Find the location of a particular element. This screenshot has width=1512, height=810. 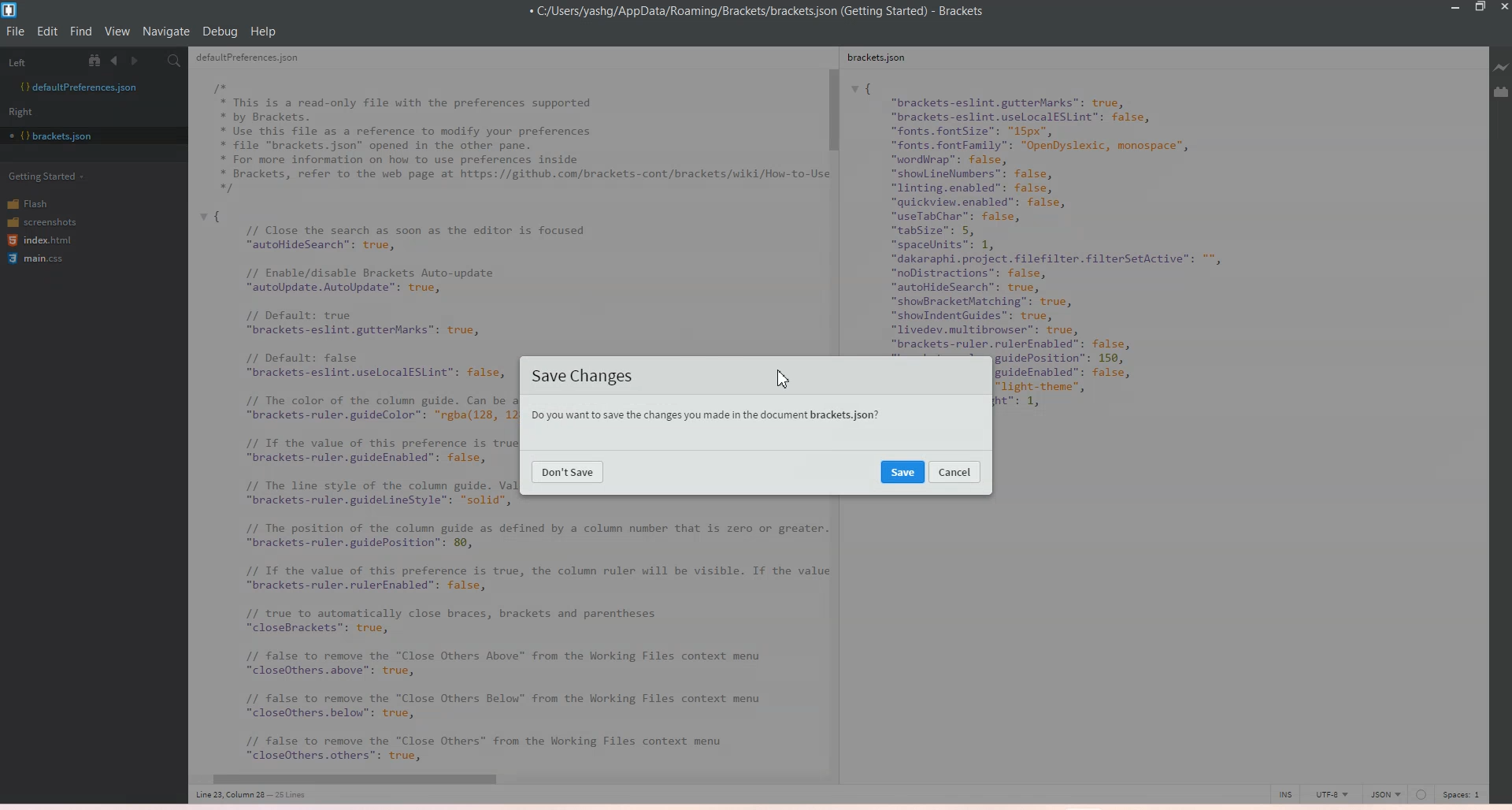

Left is located at coordinates (39, 60).